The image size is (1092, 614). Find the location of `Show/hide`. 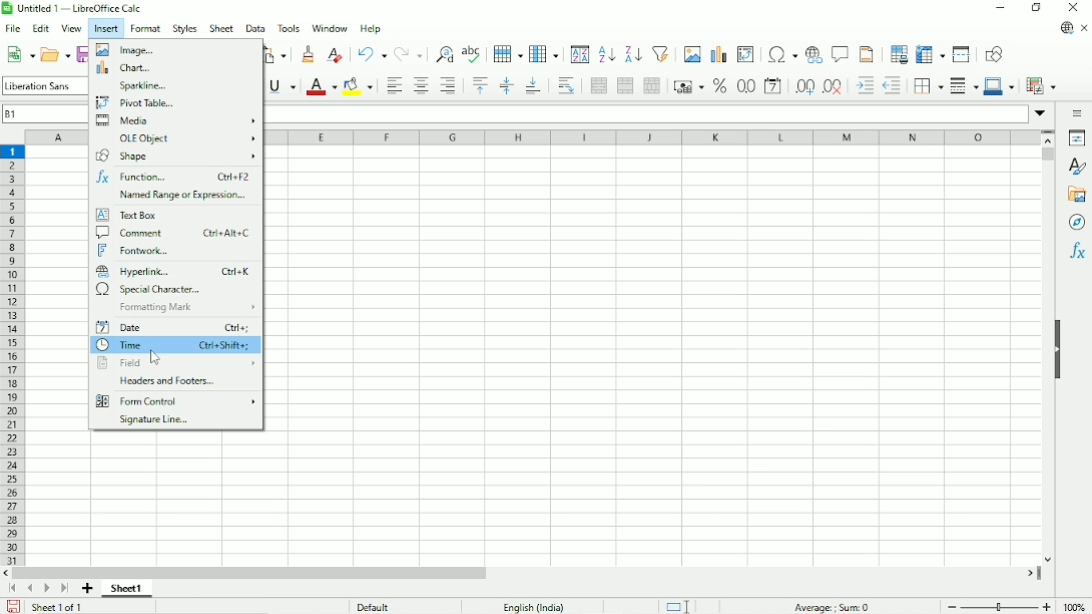

Show/hide is located at coordinates (1059, 348).